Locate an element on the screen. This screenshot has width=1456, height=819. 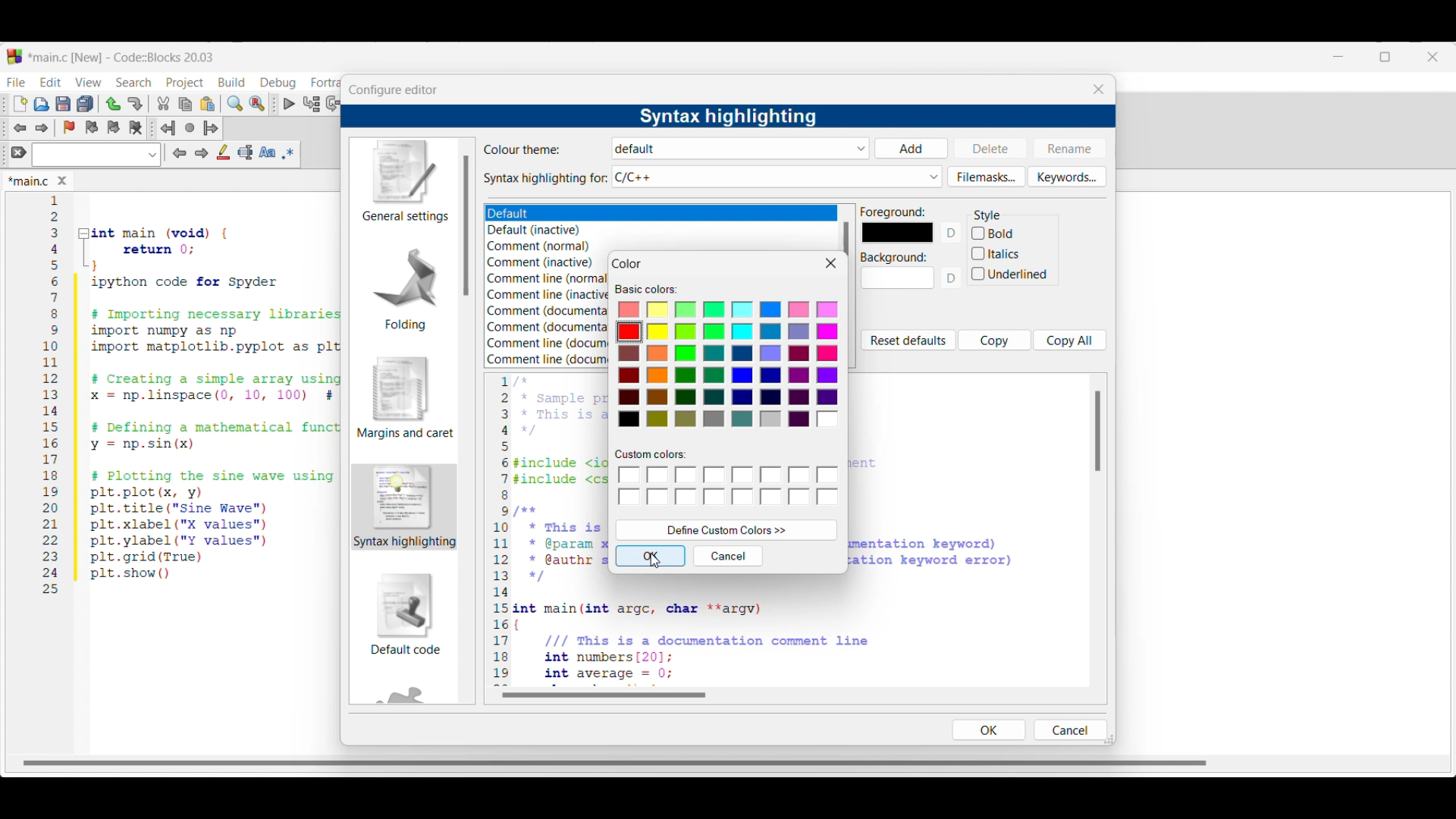
Text box and text options is located at coordinates (96, 155).